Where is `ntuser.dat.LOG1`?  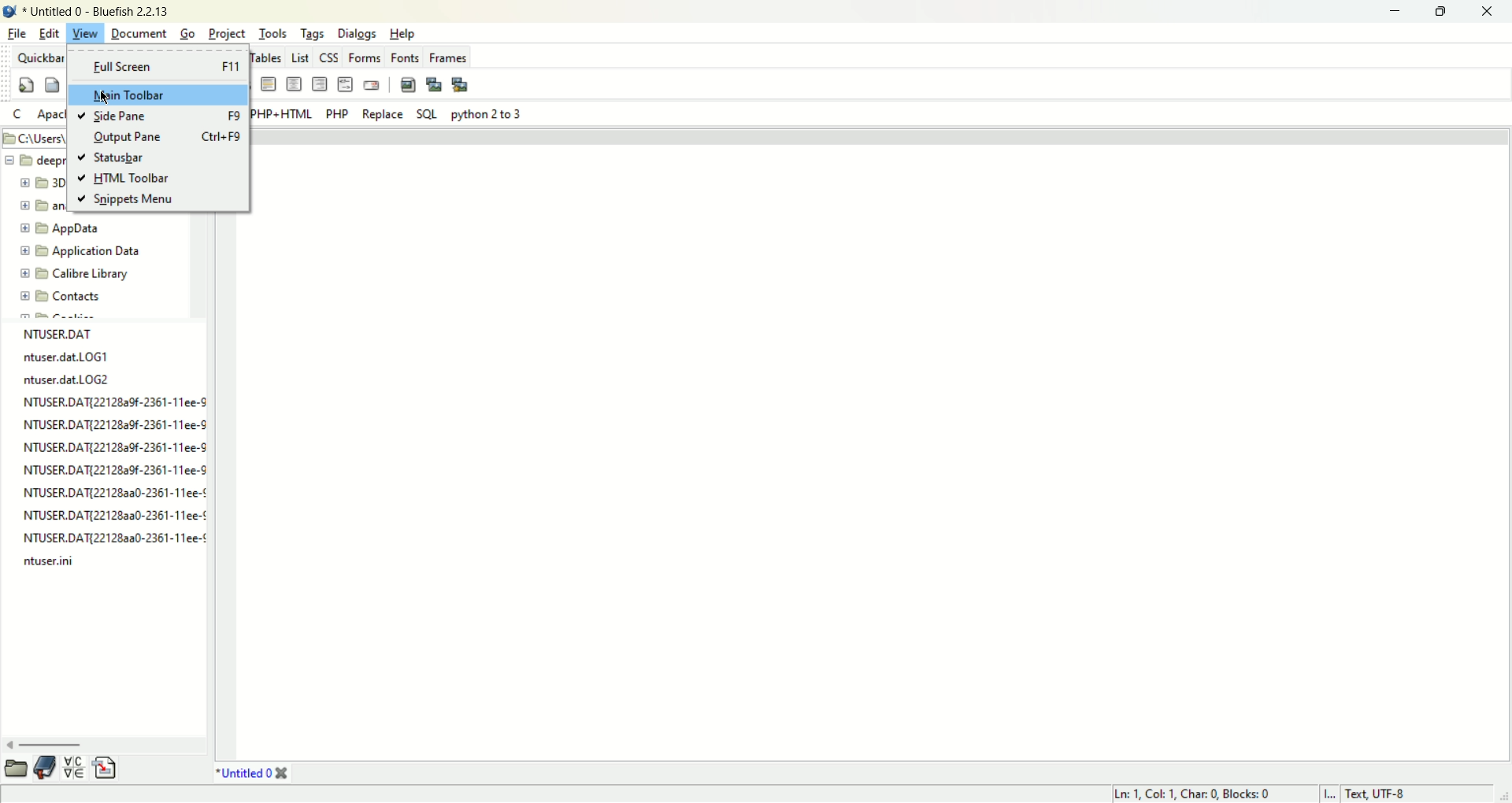
ntuser.dat.LOG1 is located at coordinates (66, 356).